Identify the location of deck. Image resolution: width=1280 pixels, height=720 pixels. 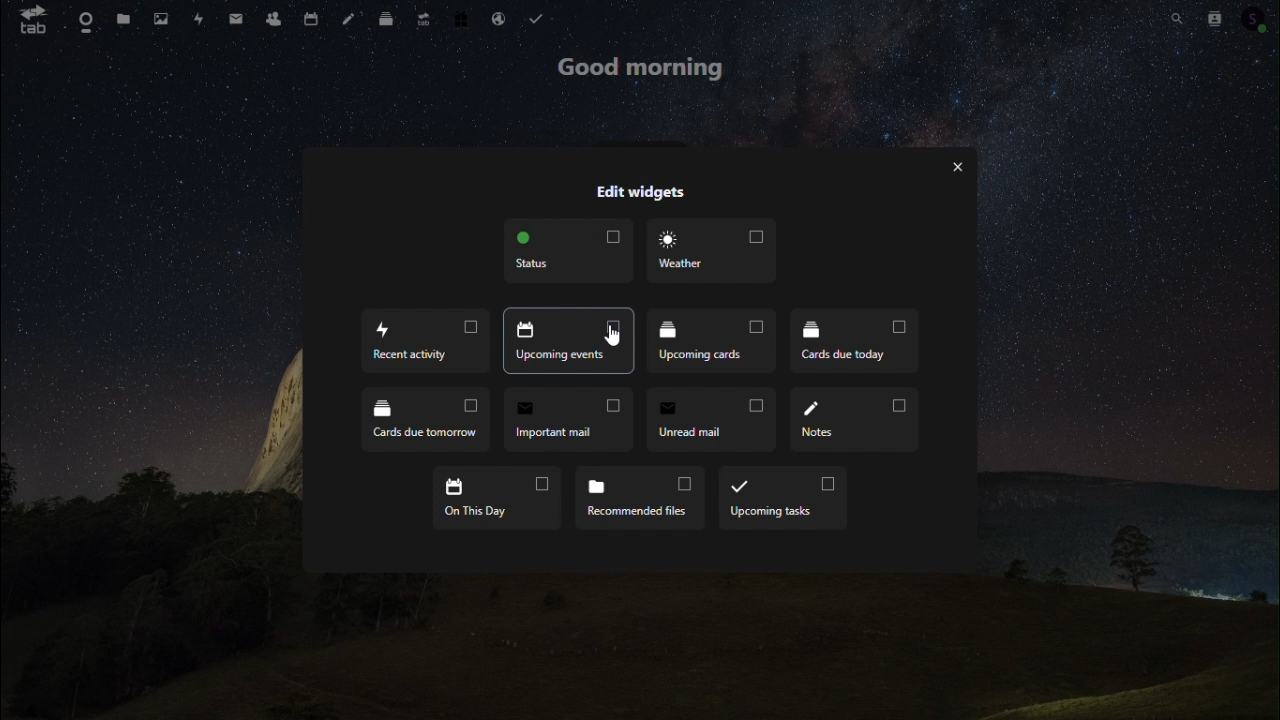
(391, 15).